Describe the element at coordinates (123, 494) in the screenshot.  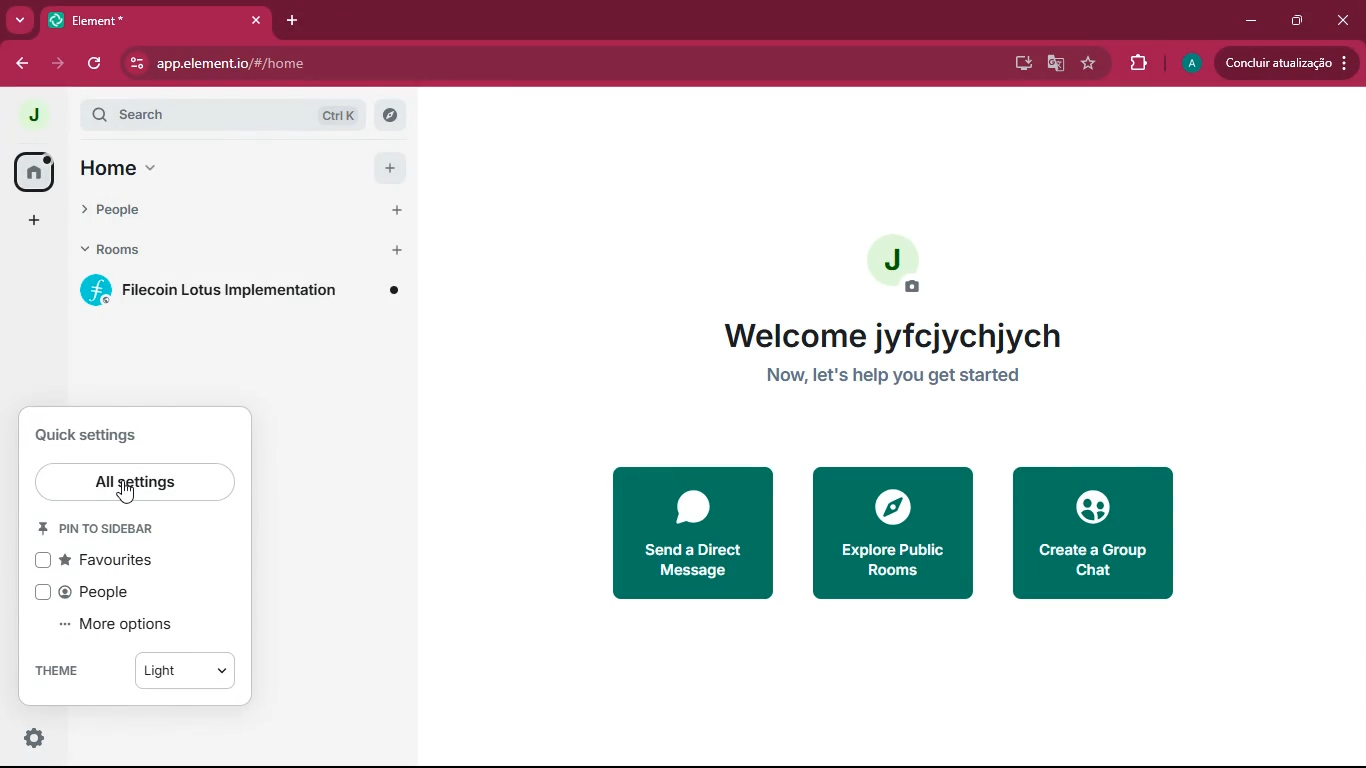
I see `cursor` at that location.